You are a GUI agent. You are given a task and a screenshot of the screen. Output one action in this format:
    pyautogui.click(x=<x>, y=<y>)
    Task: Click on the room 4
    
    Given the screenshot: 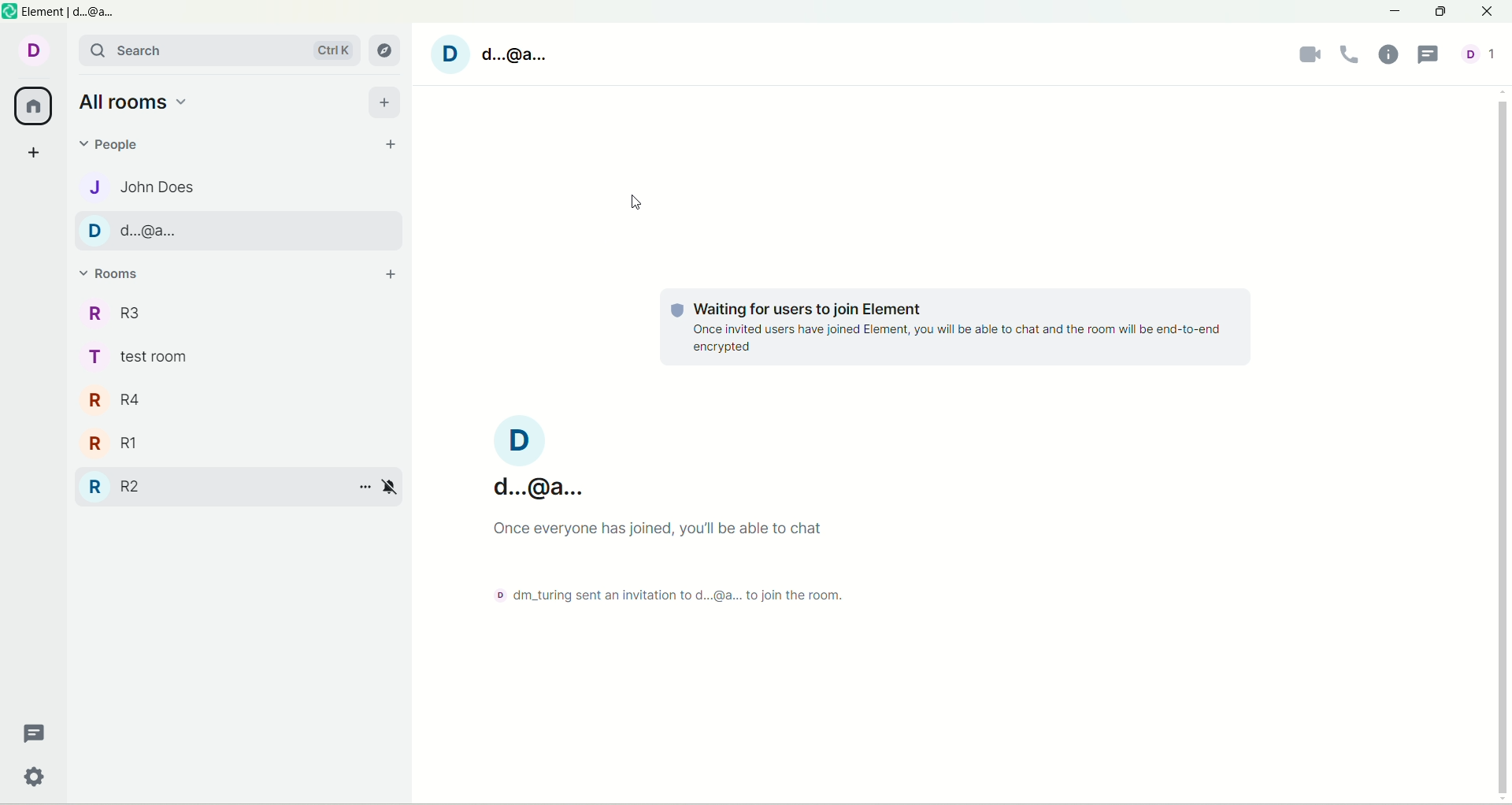 What is the action you would take?
    pyautogui.click(x=145, y=401)
    